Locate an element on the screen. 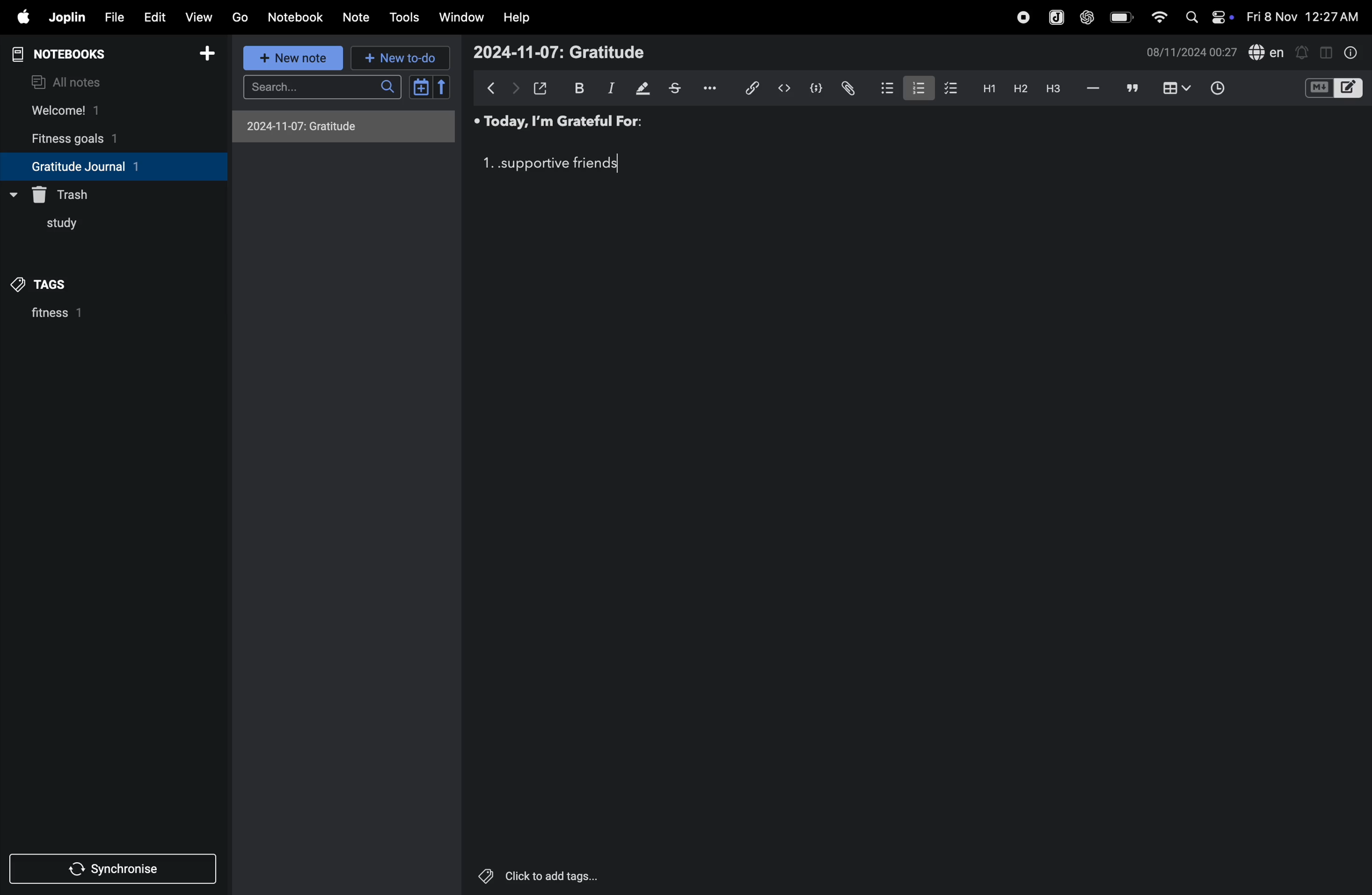 This screenshot has width=1372, height=895. add notebook is located at coordinates (202, 54).